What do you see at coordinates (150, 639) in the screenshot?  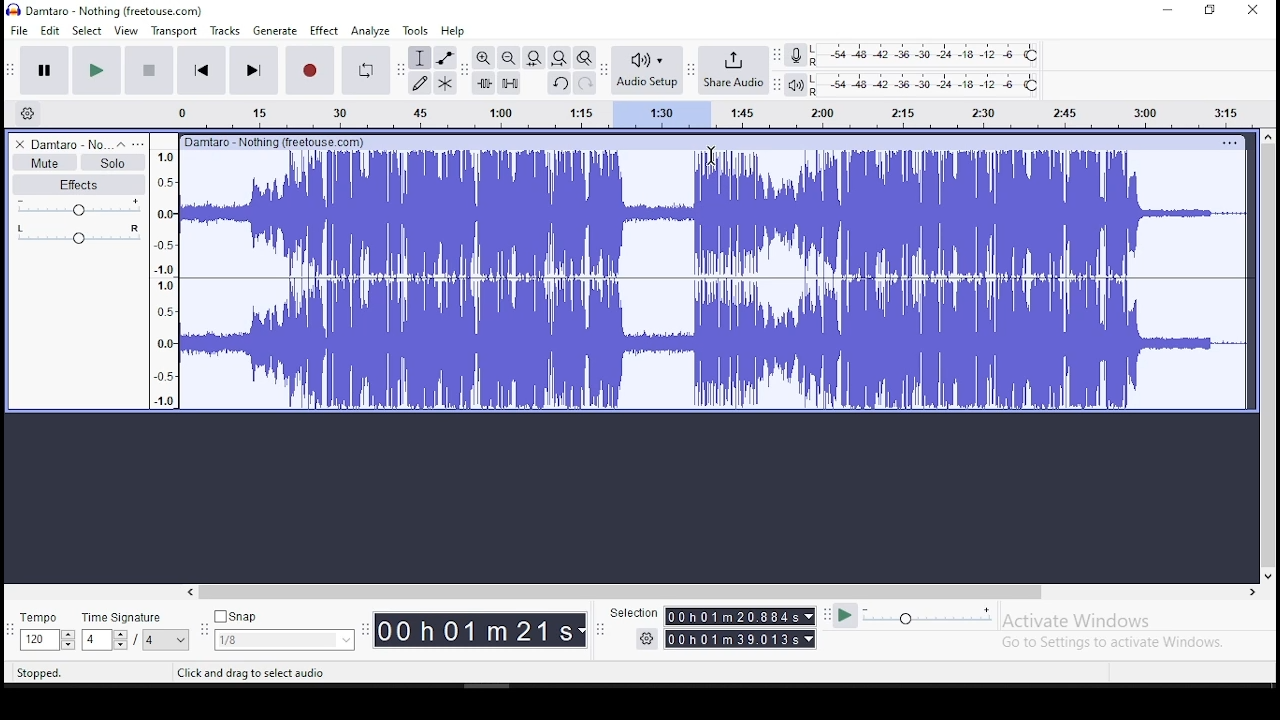 I see `/4` at bounding box center [150, 639].